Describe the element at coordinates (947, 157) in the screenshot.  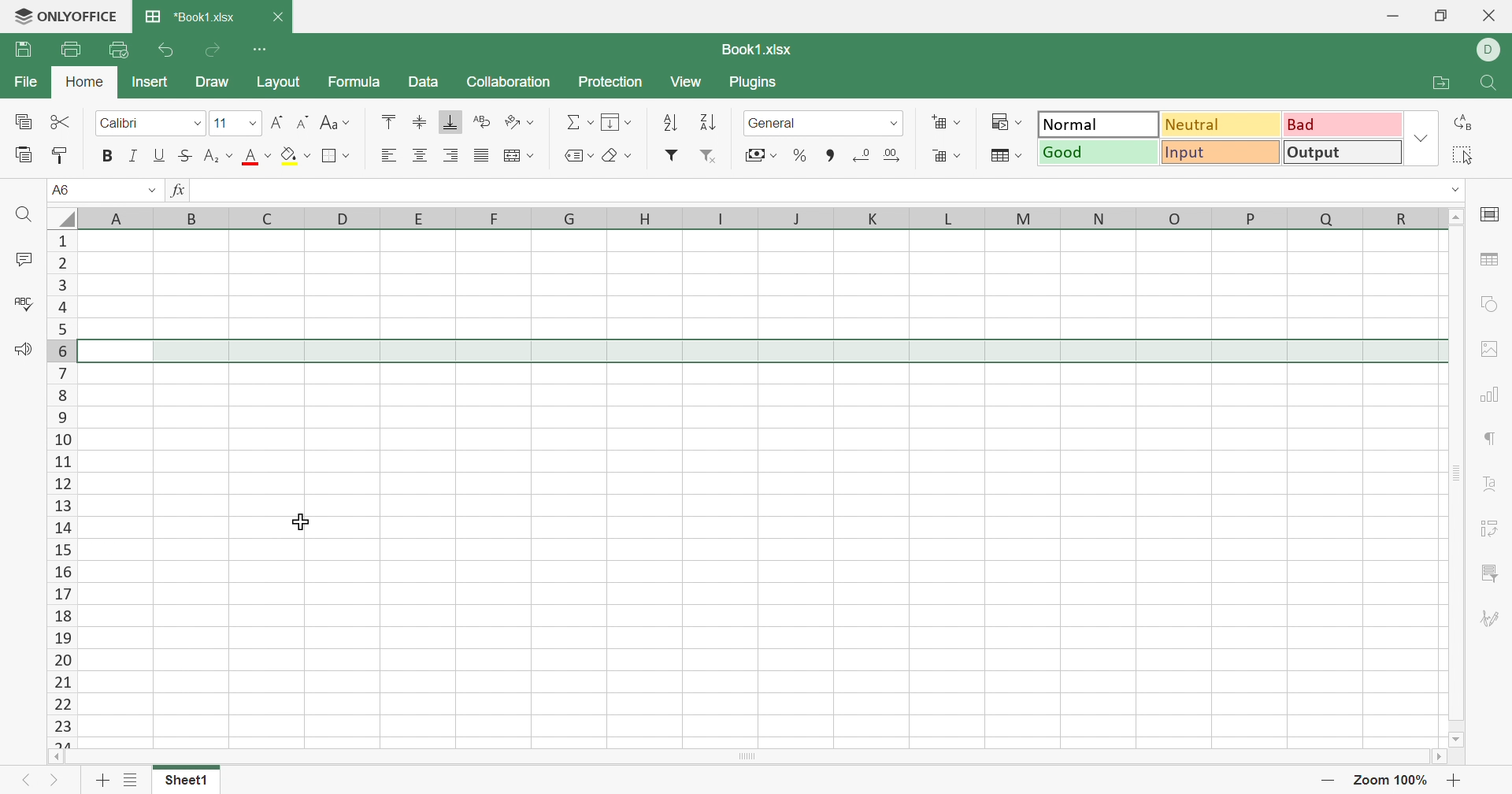
I see `Delete cells` at that location.